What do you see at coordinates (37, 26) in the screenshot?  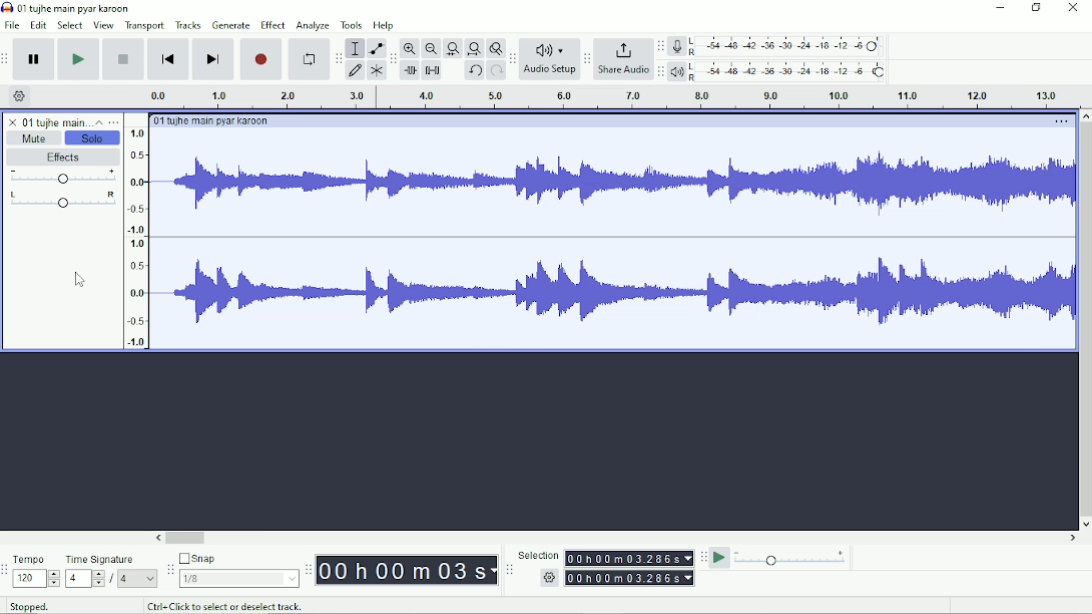 I see `Edit` at bounding box center [37, 26].